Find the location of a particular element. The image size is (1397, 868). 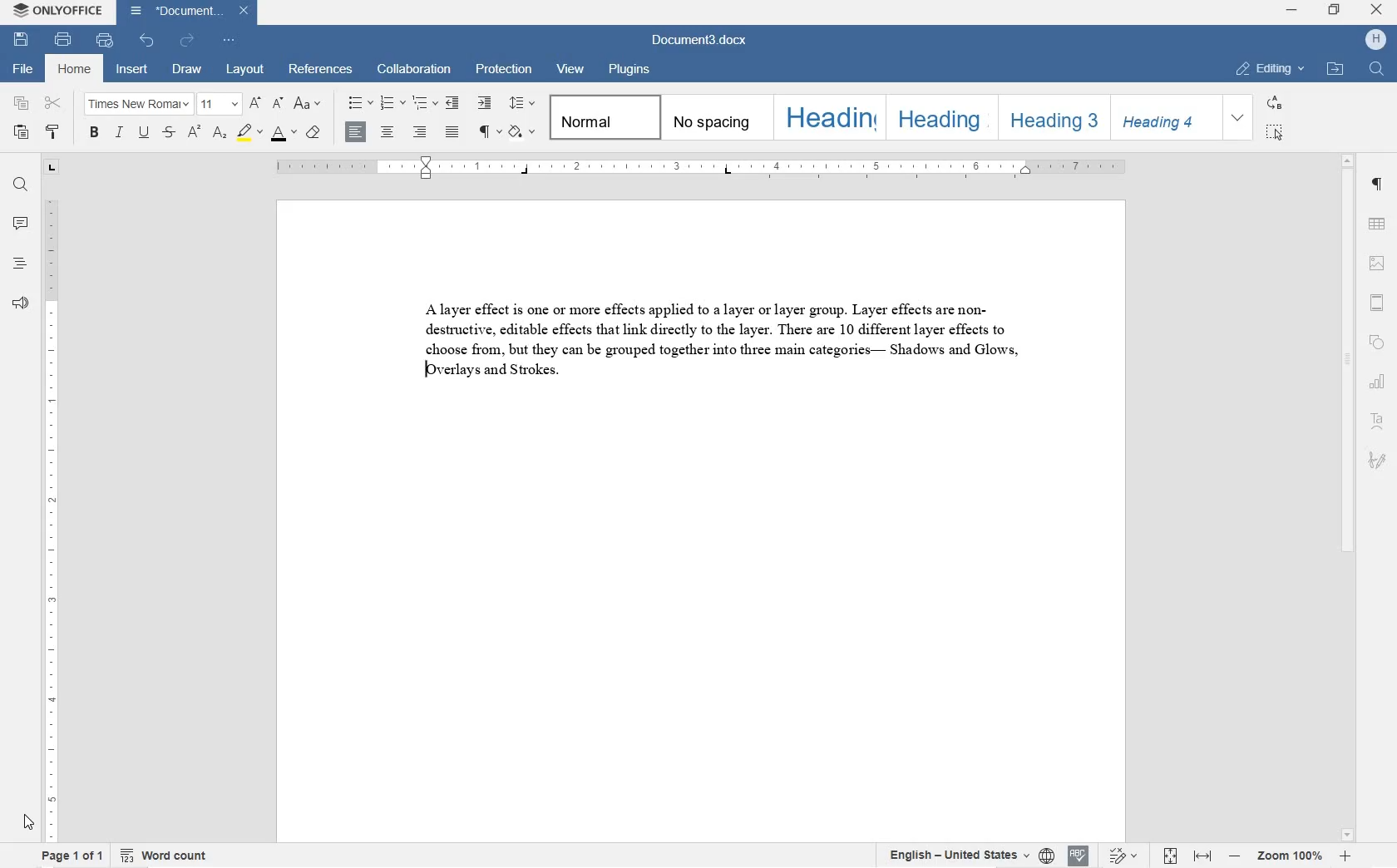

bullet is located at coordinates (360, 101).